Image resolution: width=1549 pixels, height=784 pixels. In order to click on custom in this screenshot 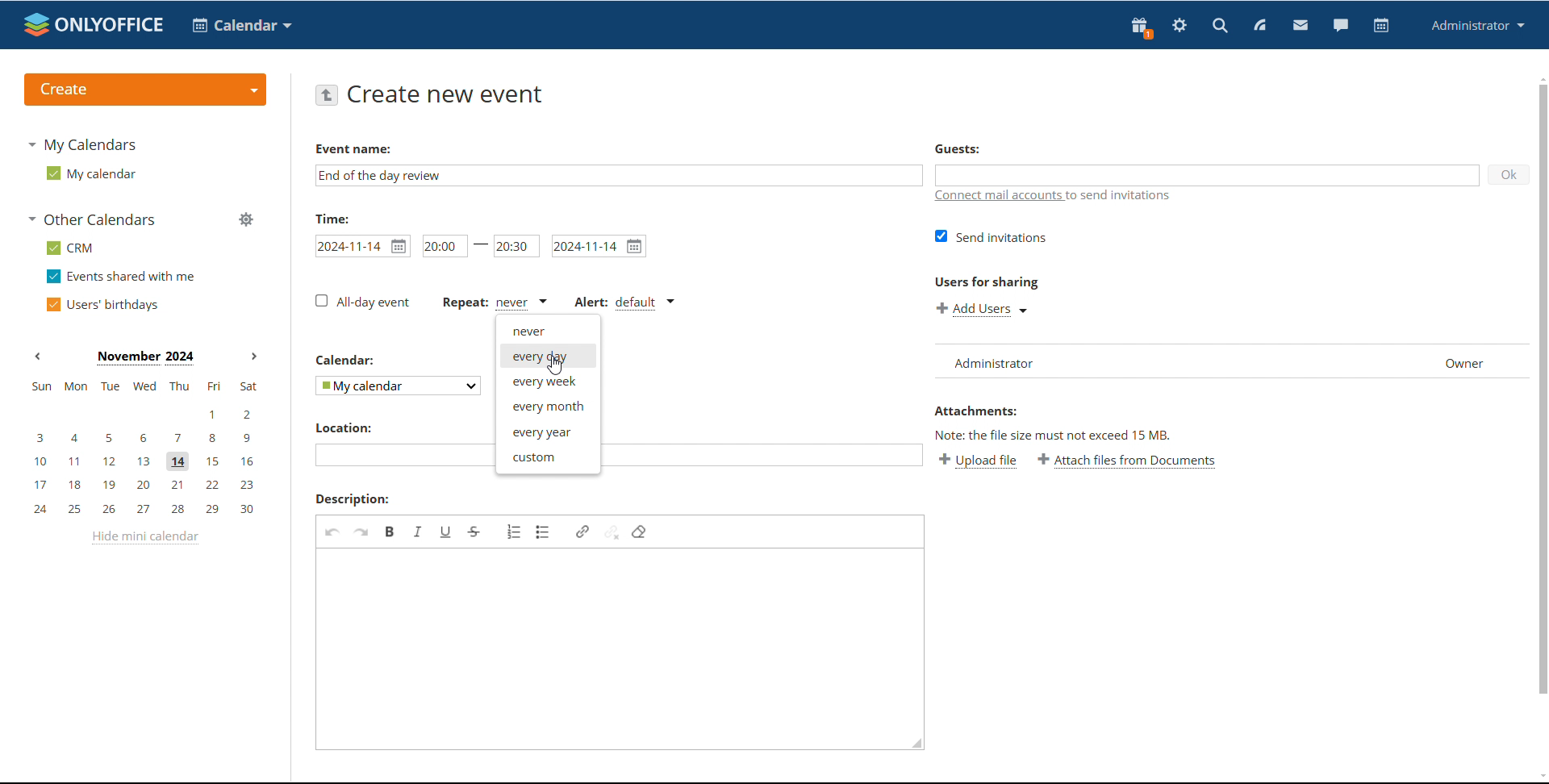, I will do `click(547, 457)`.